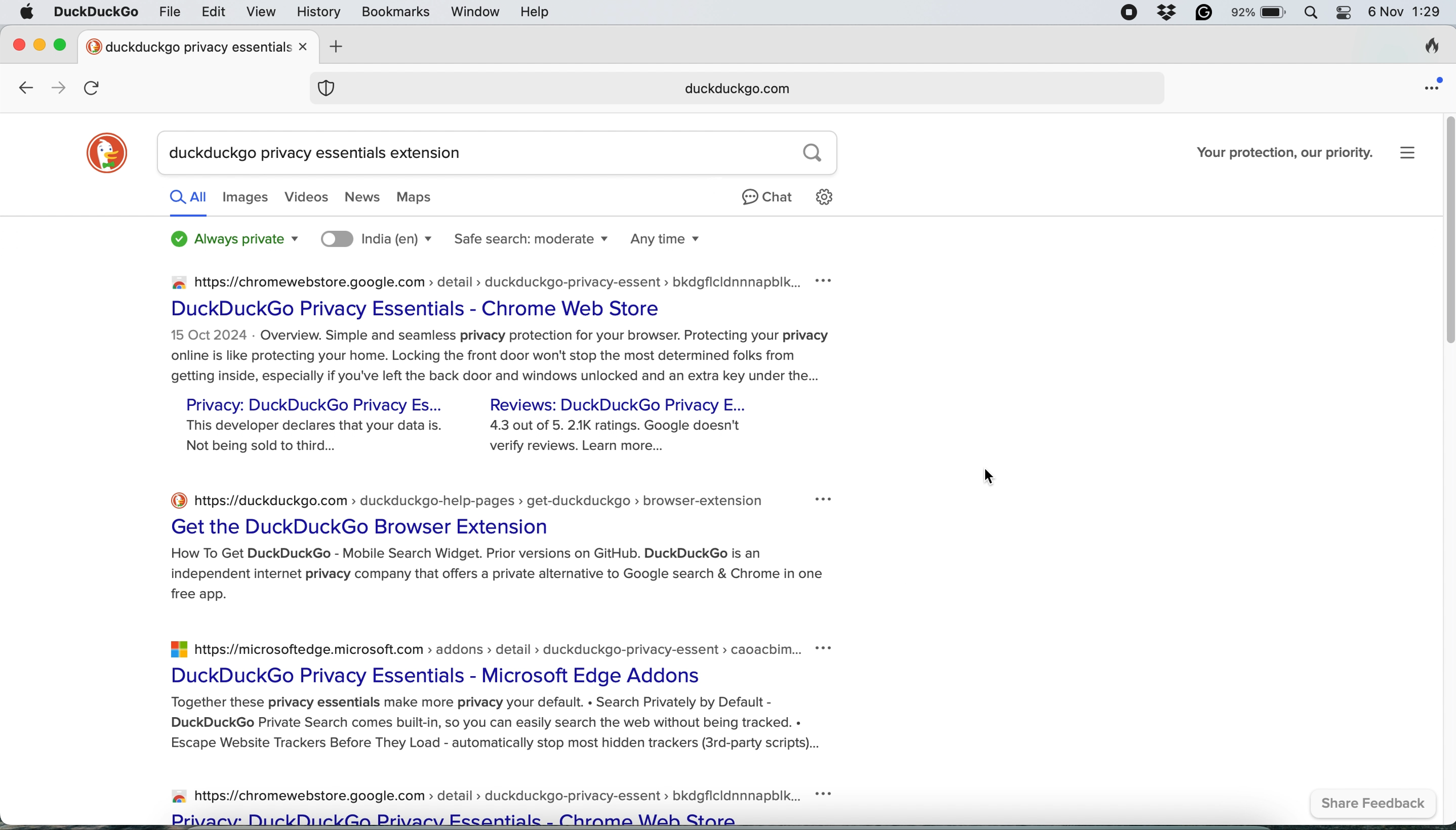 This screenshot has width=1456, height=830. Describe the element at coordinates (58, 88) in the screenshot. I see `go forward` at that location.